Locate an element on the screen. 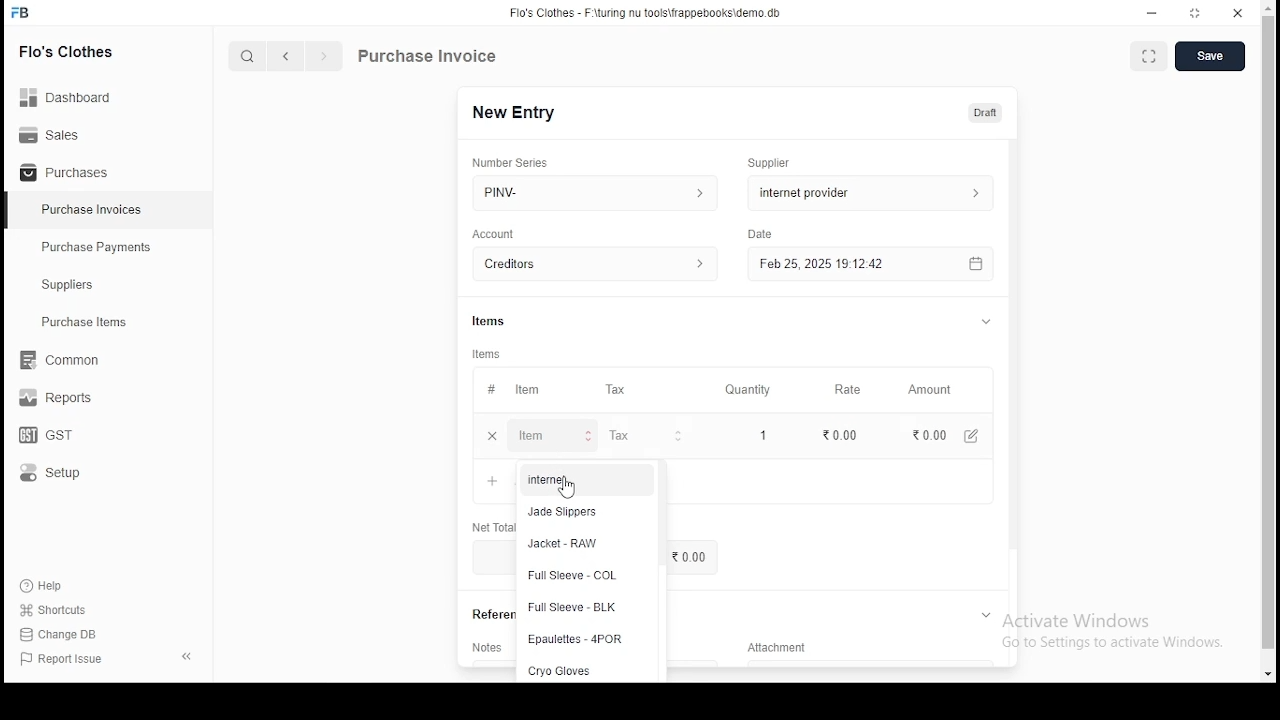  next is located at coordinates (324, 58).